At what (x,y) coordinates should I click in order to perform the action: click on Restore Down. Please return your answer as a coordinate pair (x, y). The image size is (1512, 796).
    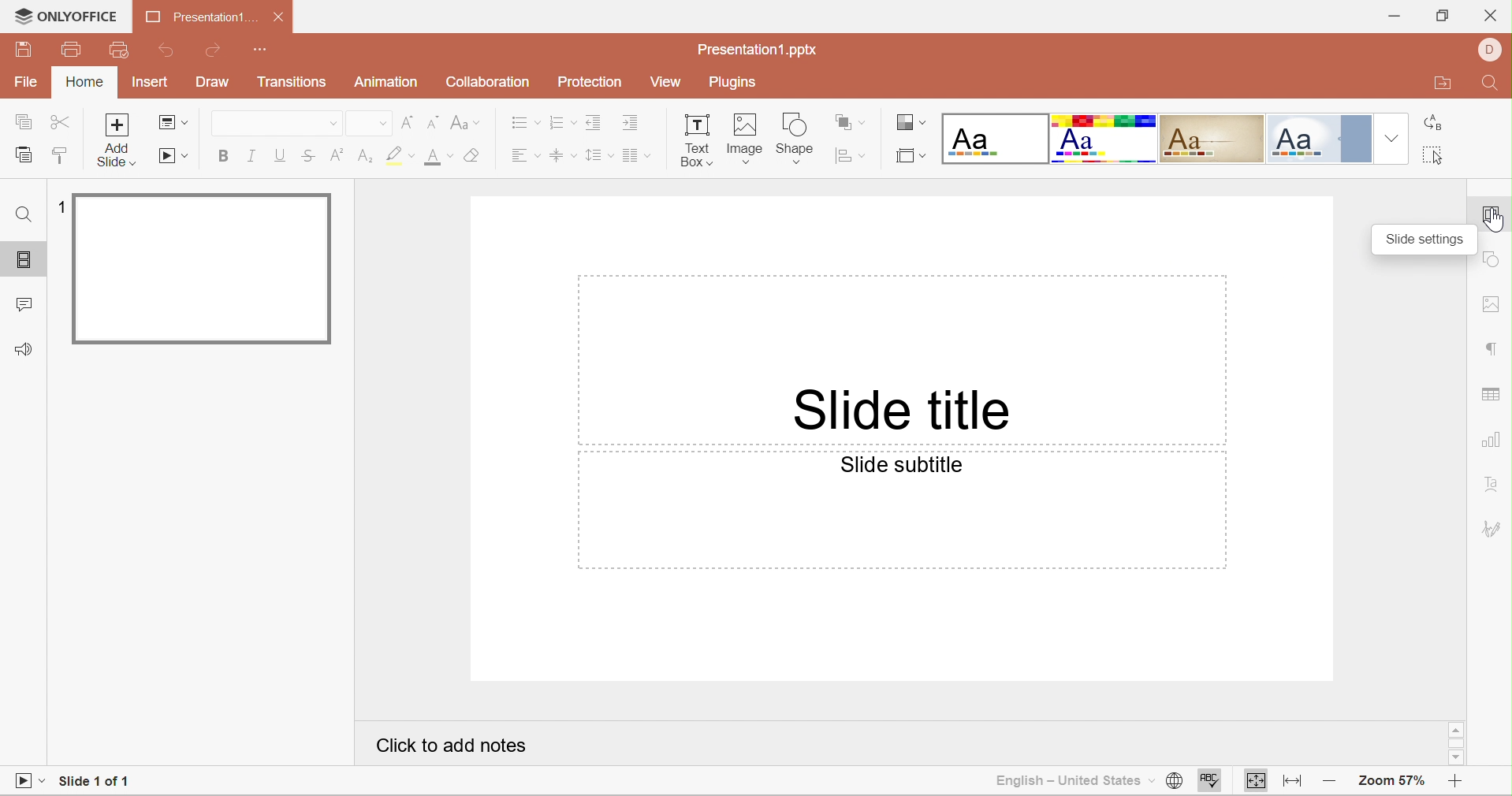
    Looking at the image, I should click on (1442, 17).